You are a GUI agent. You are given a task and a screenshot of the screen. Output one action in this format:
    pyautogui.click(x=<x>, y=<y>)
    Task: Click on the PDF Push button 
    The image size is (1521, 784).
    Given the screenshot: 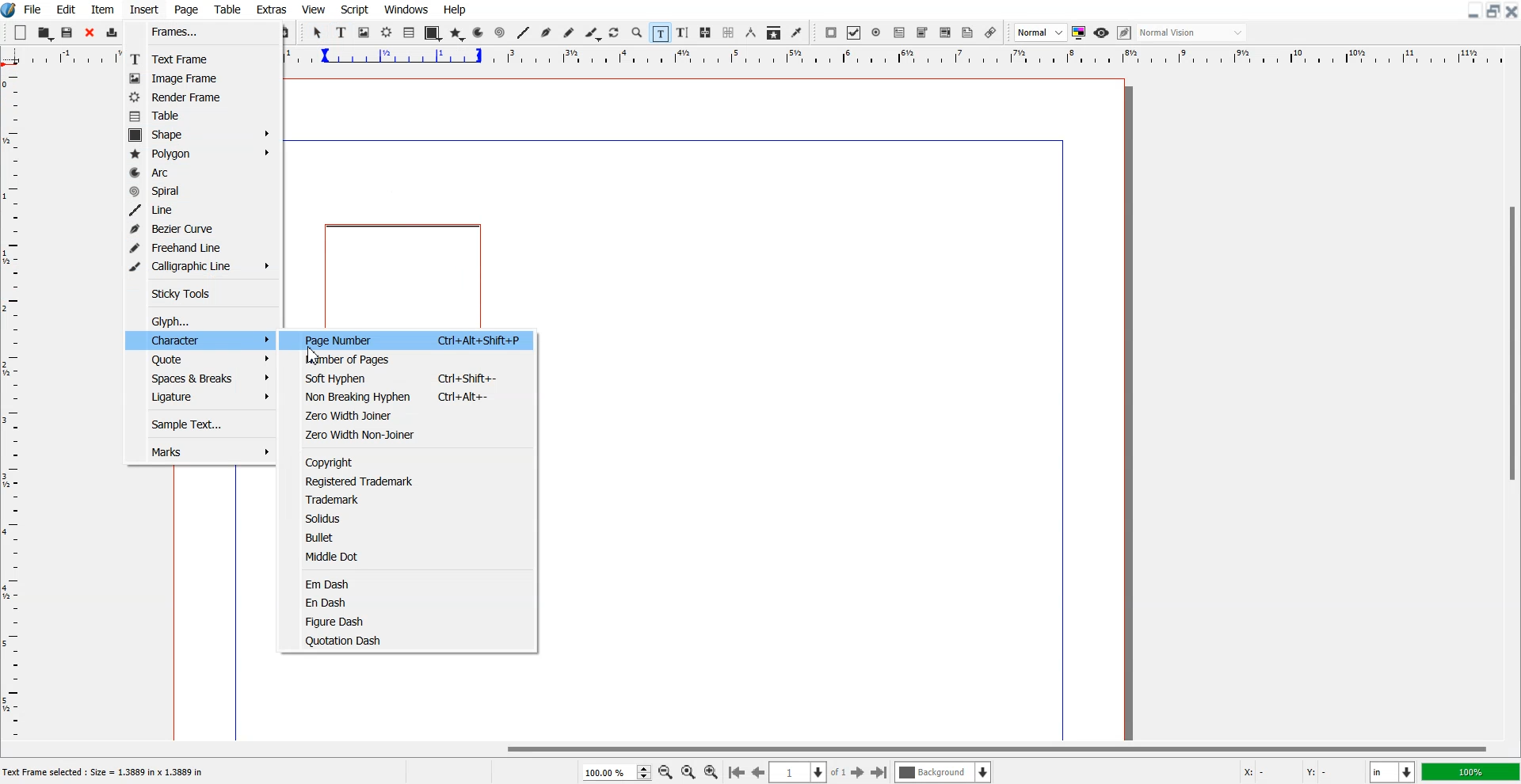 What is the action you would take?
    pyautogui.click(x=830, y=32)
    